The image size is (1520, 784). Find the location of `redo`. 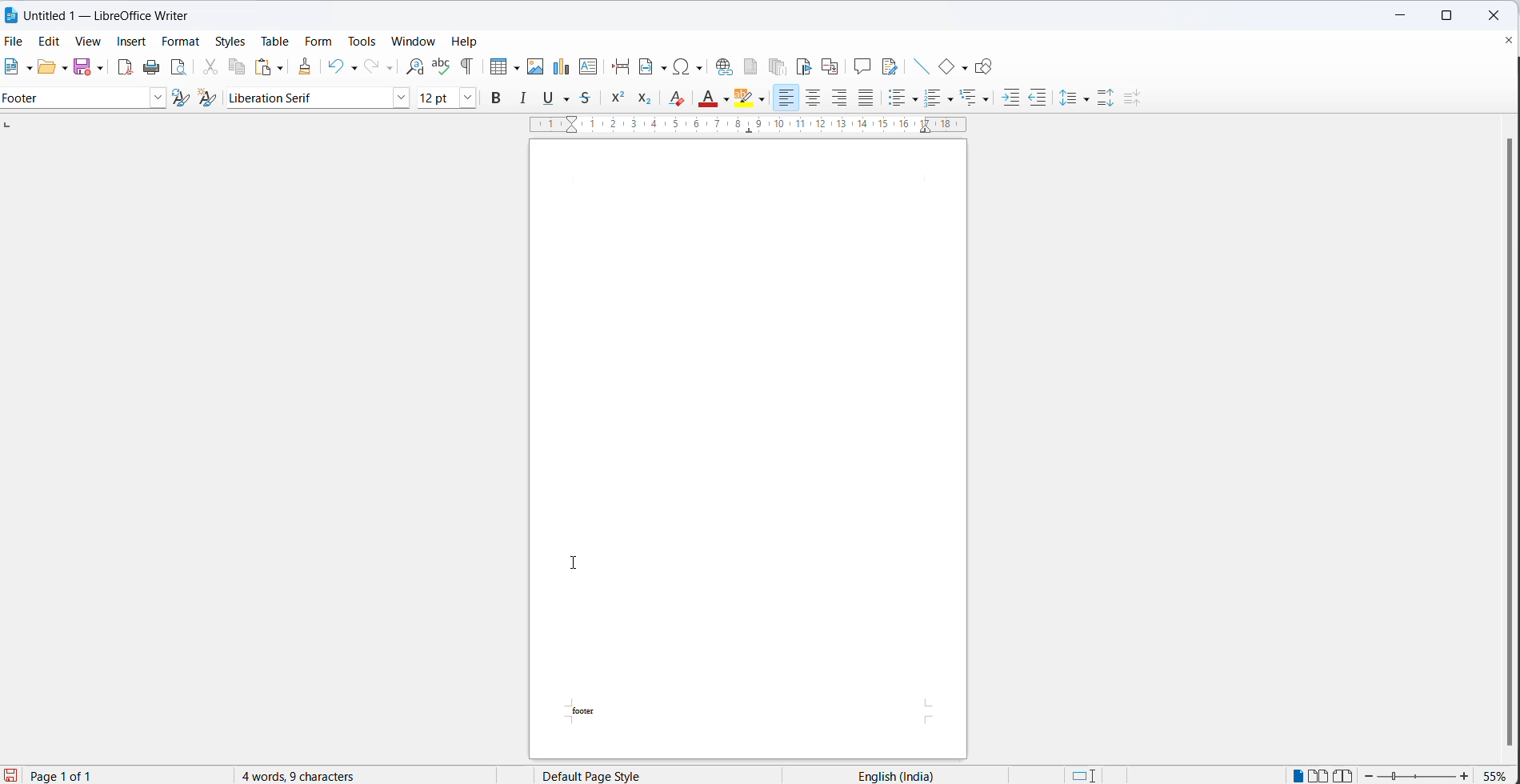

redo is located at coordinates (371, 64).